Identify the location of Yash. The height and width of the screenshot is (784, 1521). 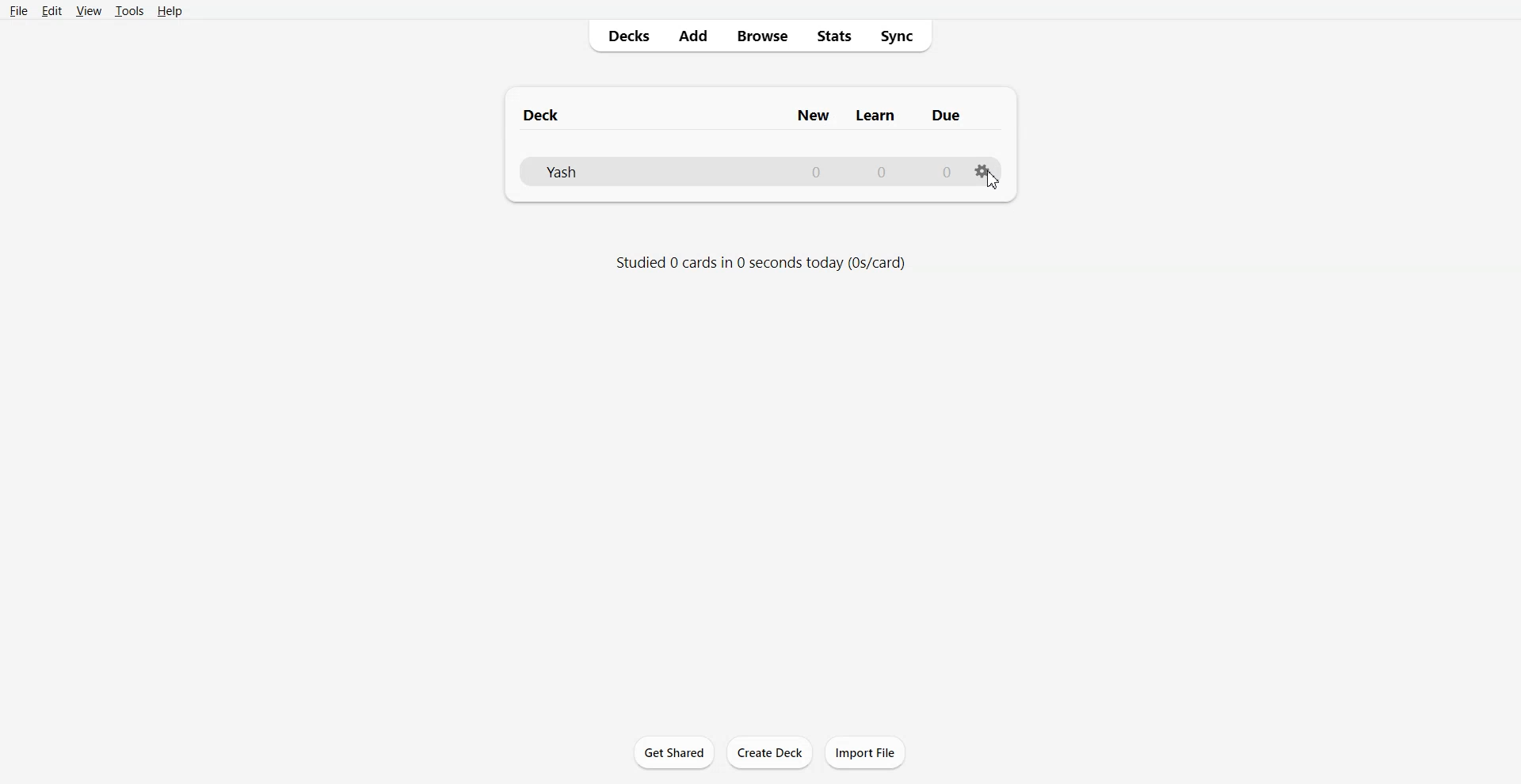
(745, 172).